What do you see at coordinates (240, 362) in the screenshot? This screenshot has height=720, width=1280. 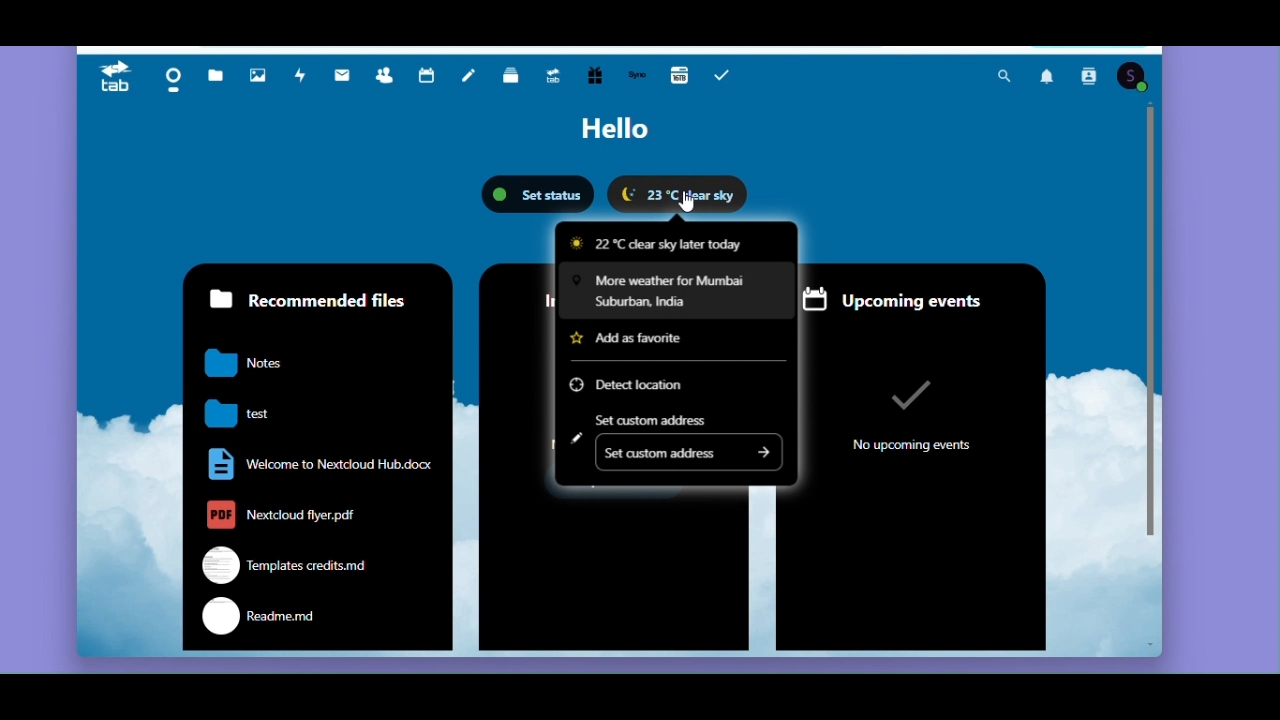 I see `notes` at bounding box center [240, 362].